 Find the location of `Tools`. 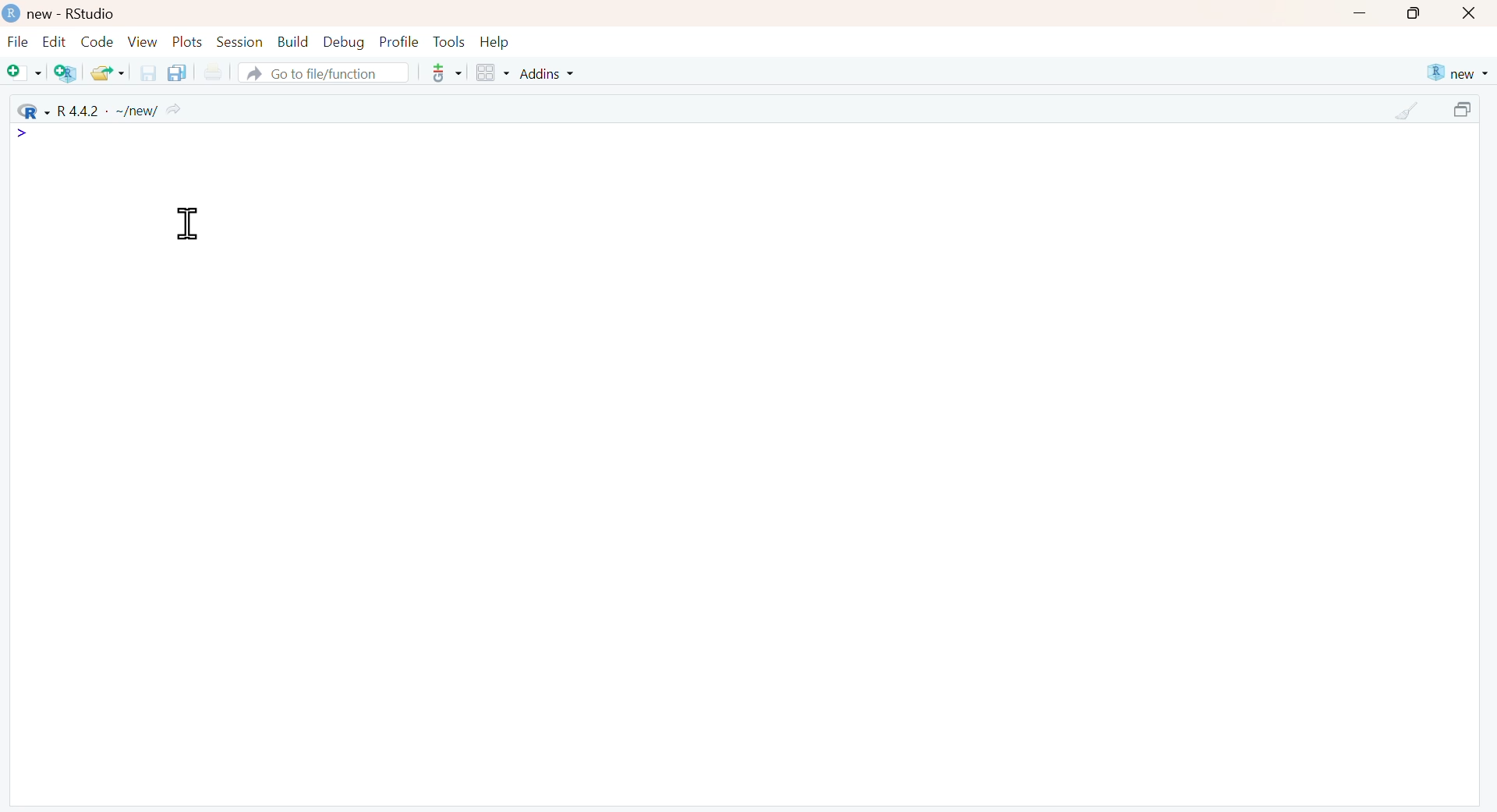

Tools is located at coordinates (451, 42).